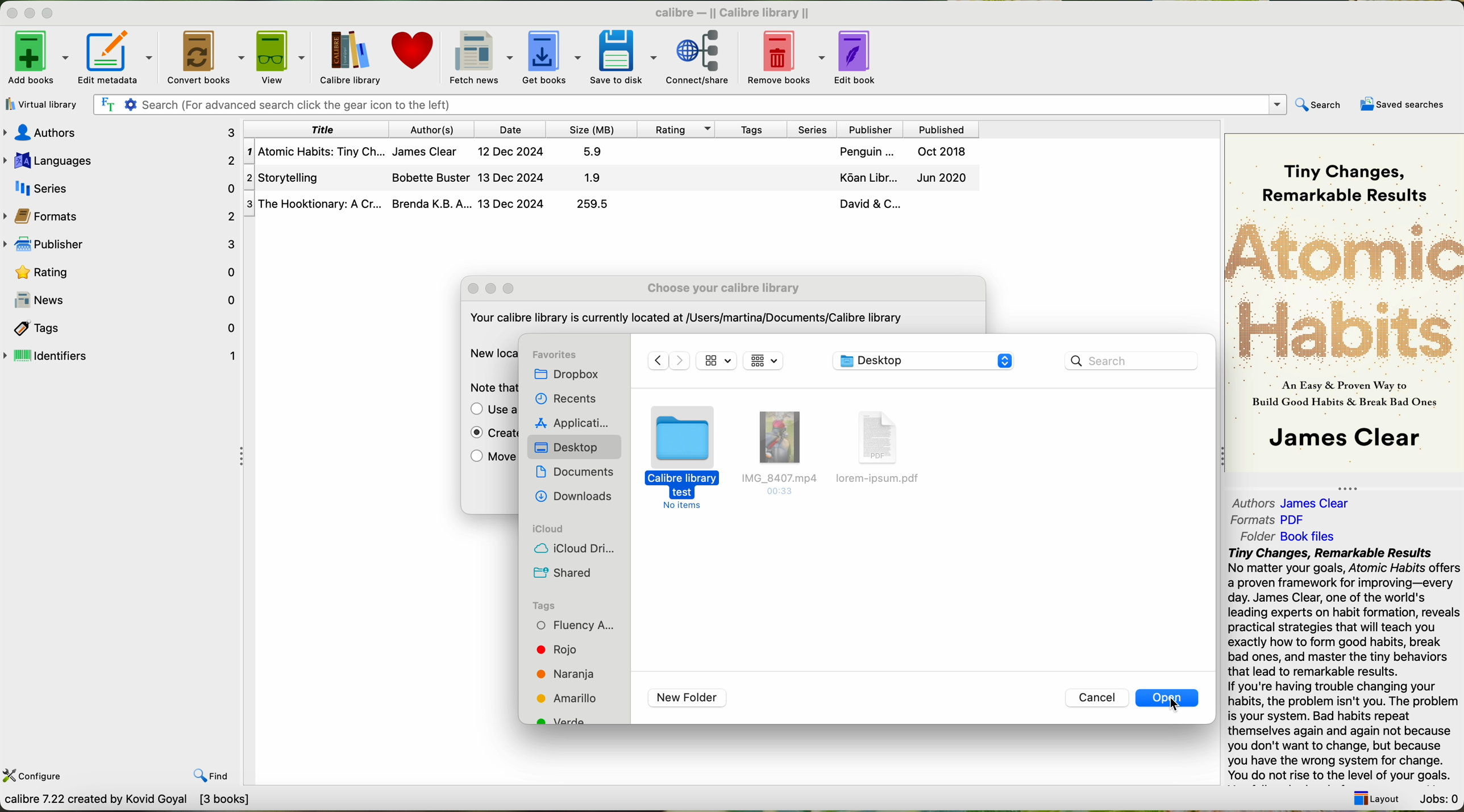 The height and width of the screenshot is (812, 1464). I want to click on cursor, so click(1179, 710).